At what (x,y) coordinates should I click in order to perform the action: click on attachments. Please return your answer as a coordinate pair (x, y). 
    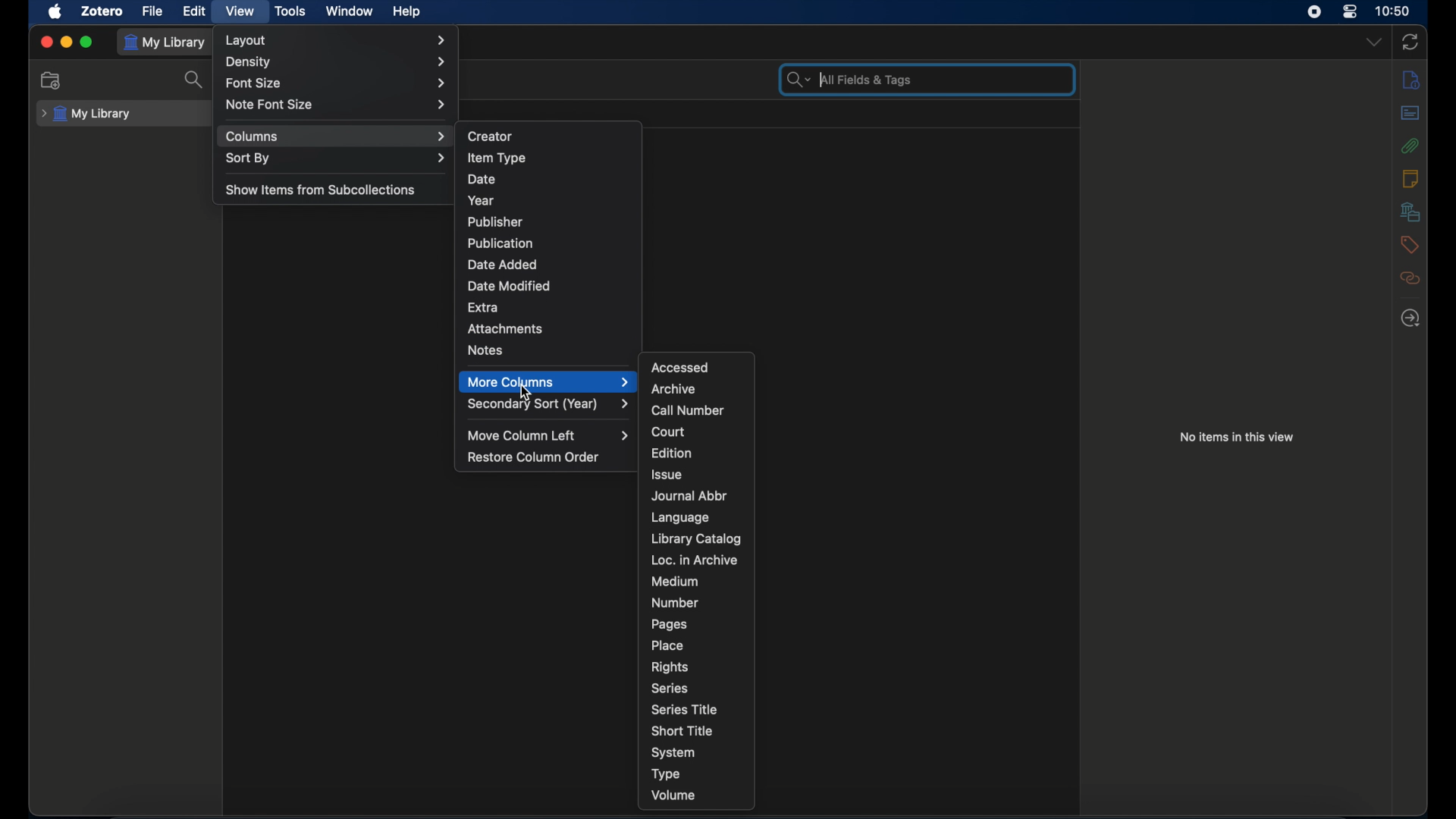
    Looking at the image, I should click on (506, 329).